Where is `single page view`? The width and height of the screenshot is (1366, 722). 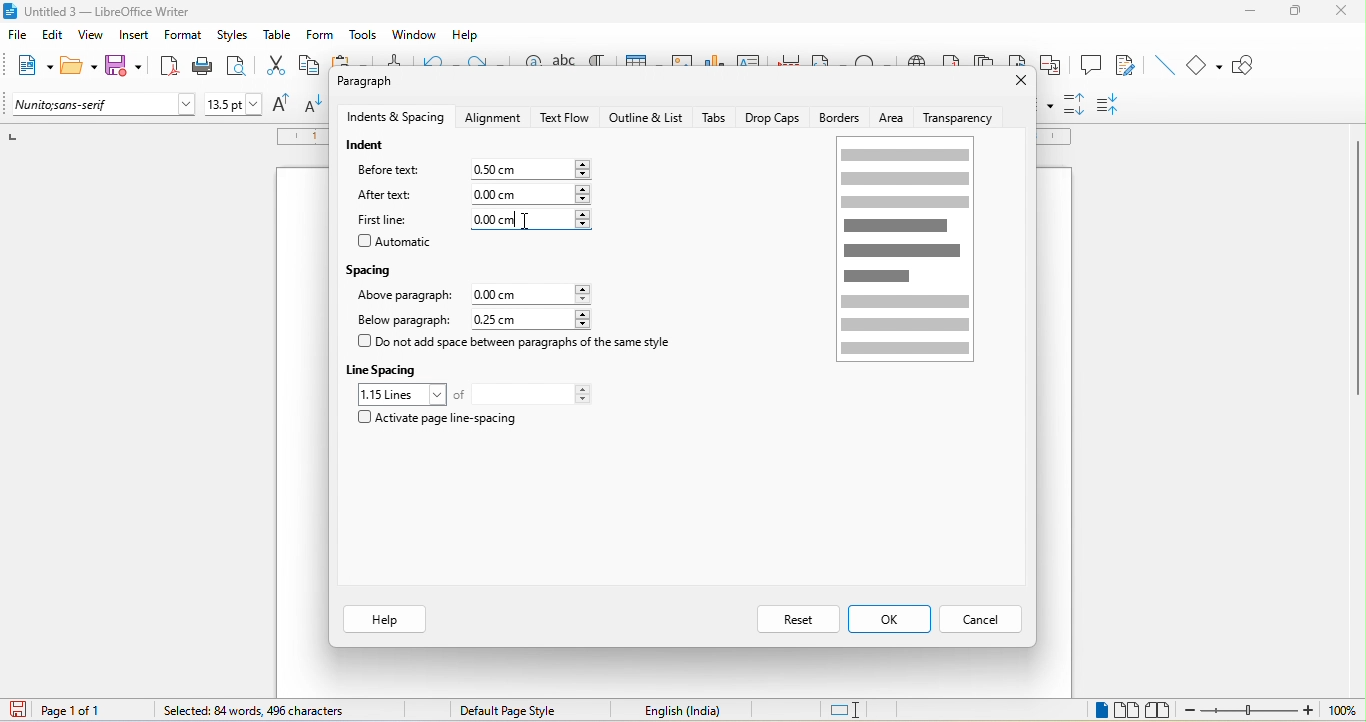
single page view is located at coordinates (1092, 711).